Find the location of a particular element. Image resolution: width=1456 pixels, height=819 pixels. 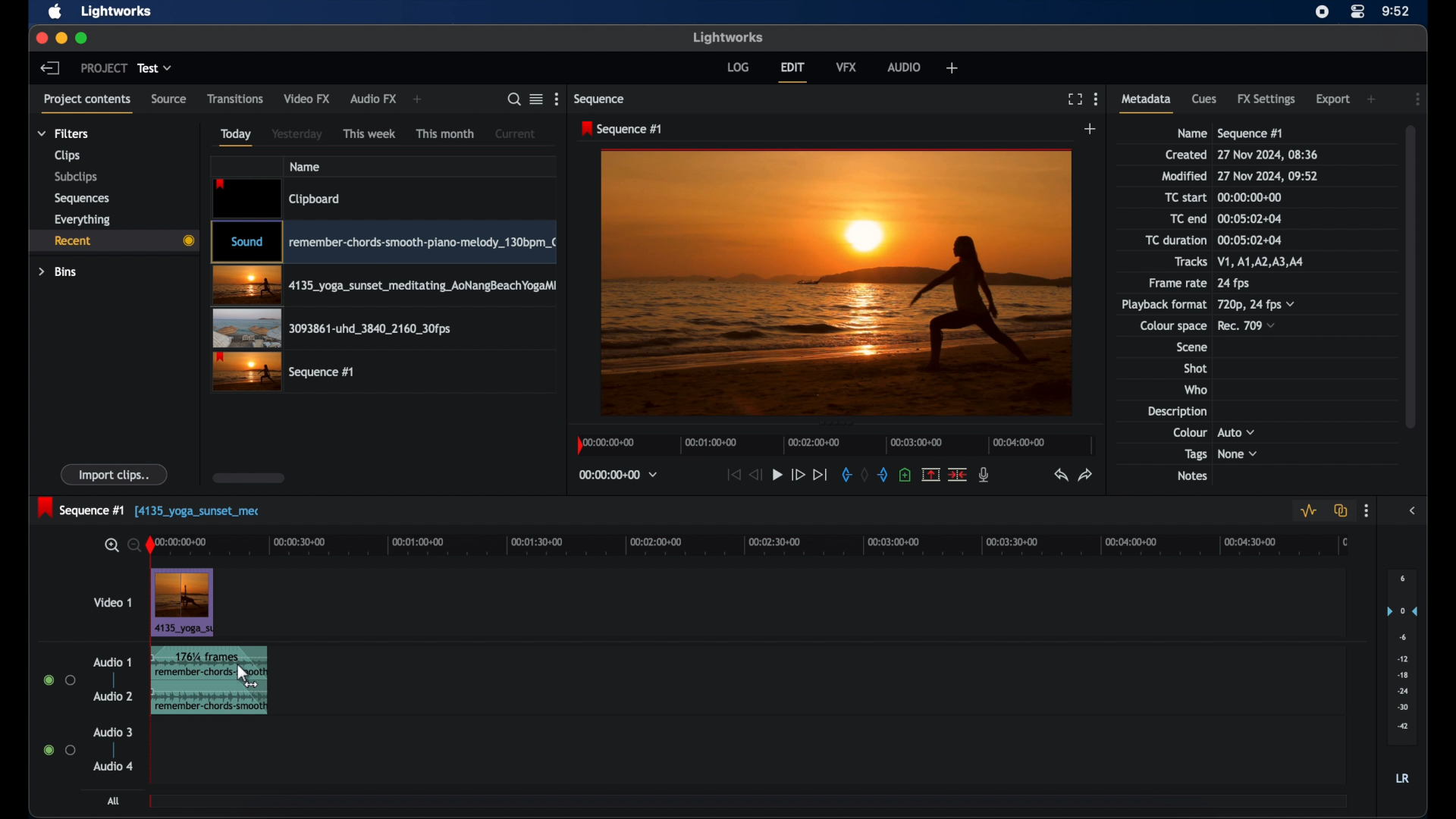

frame rate is located at coordinates (1175, 284).